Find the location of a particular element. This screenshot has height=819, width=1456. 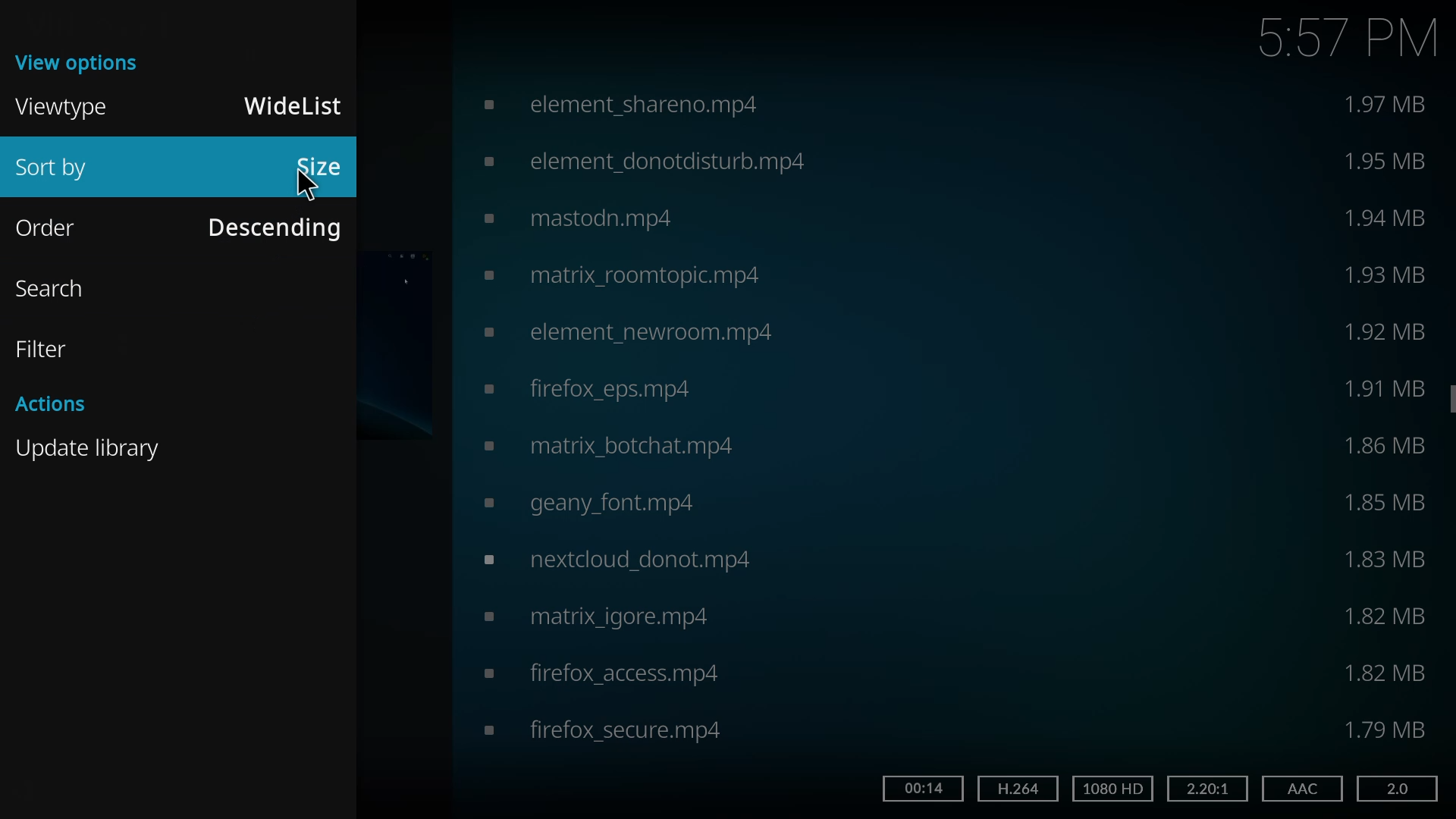

hd is located at coordinates (1115, 789).